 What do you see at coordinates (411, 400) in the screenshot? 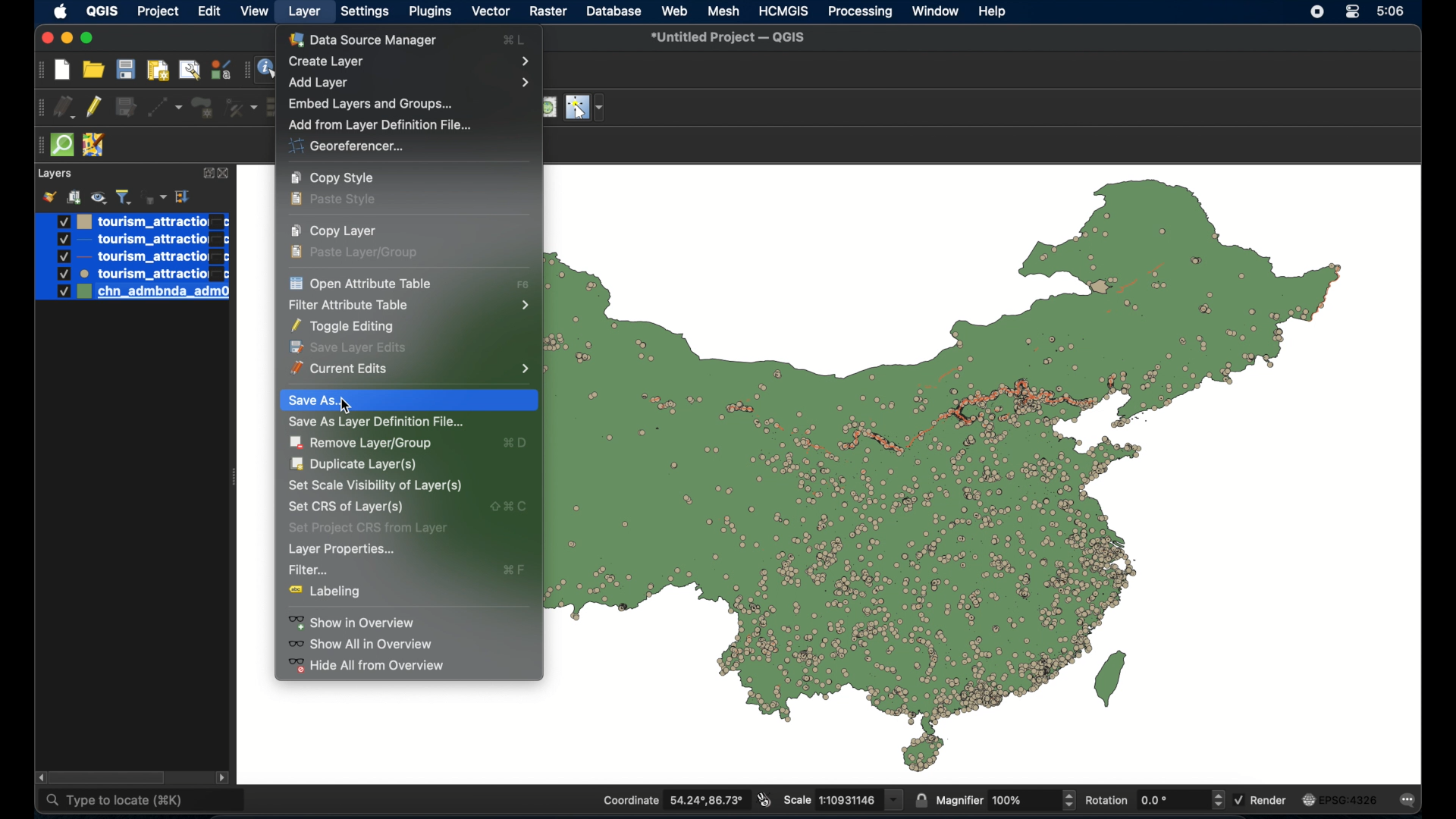
I see `save as highlighted` at bounding box center [411, 400].